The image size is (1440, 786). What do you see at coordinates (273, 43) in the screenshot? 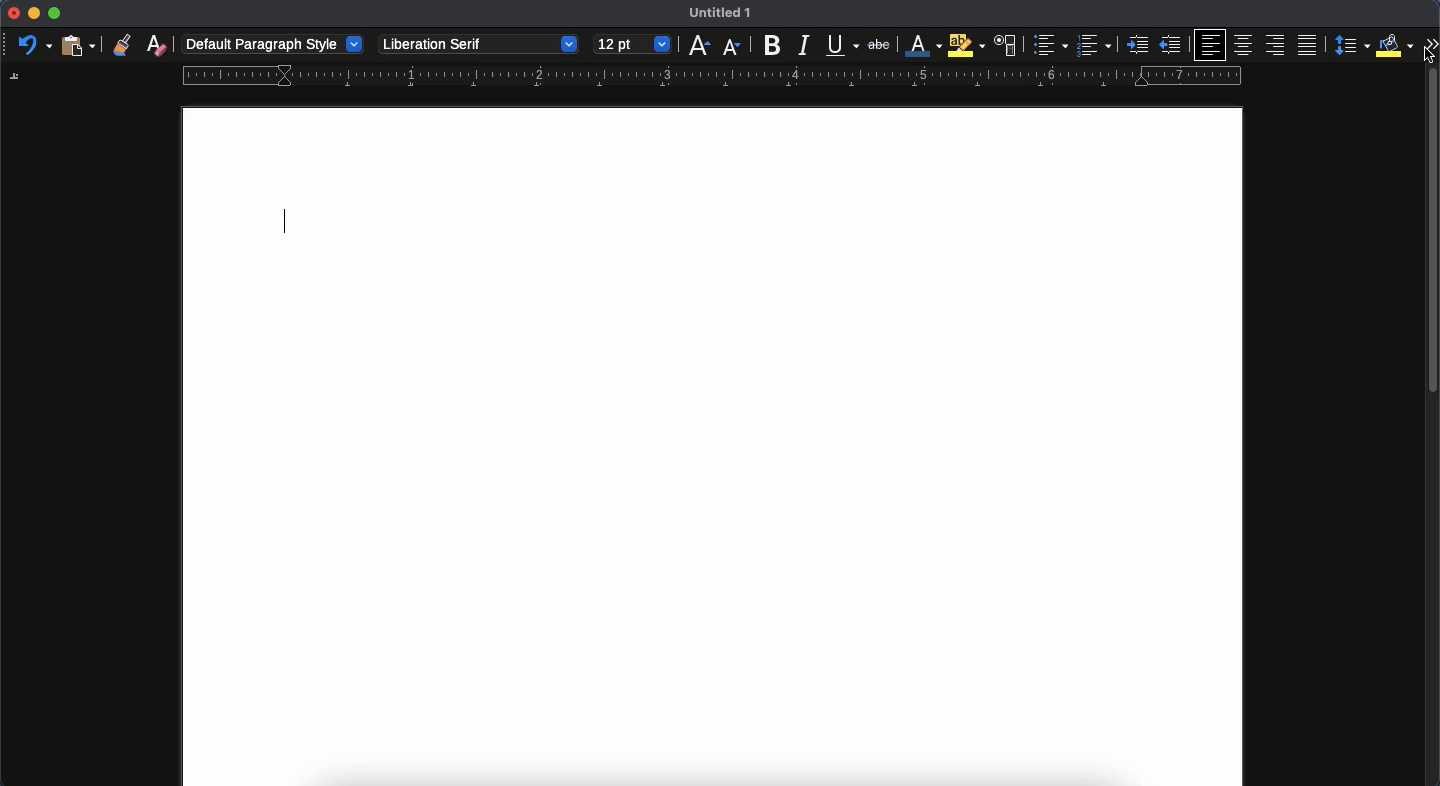
I see `default paragraph style` at bounding box center [273, 43].